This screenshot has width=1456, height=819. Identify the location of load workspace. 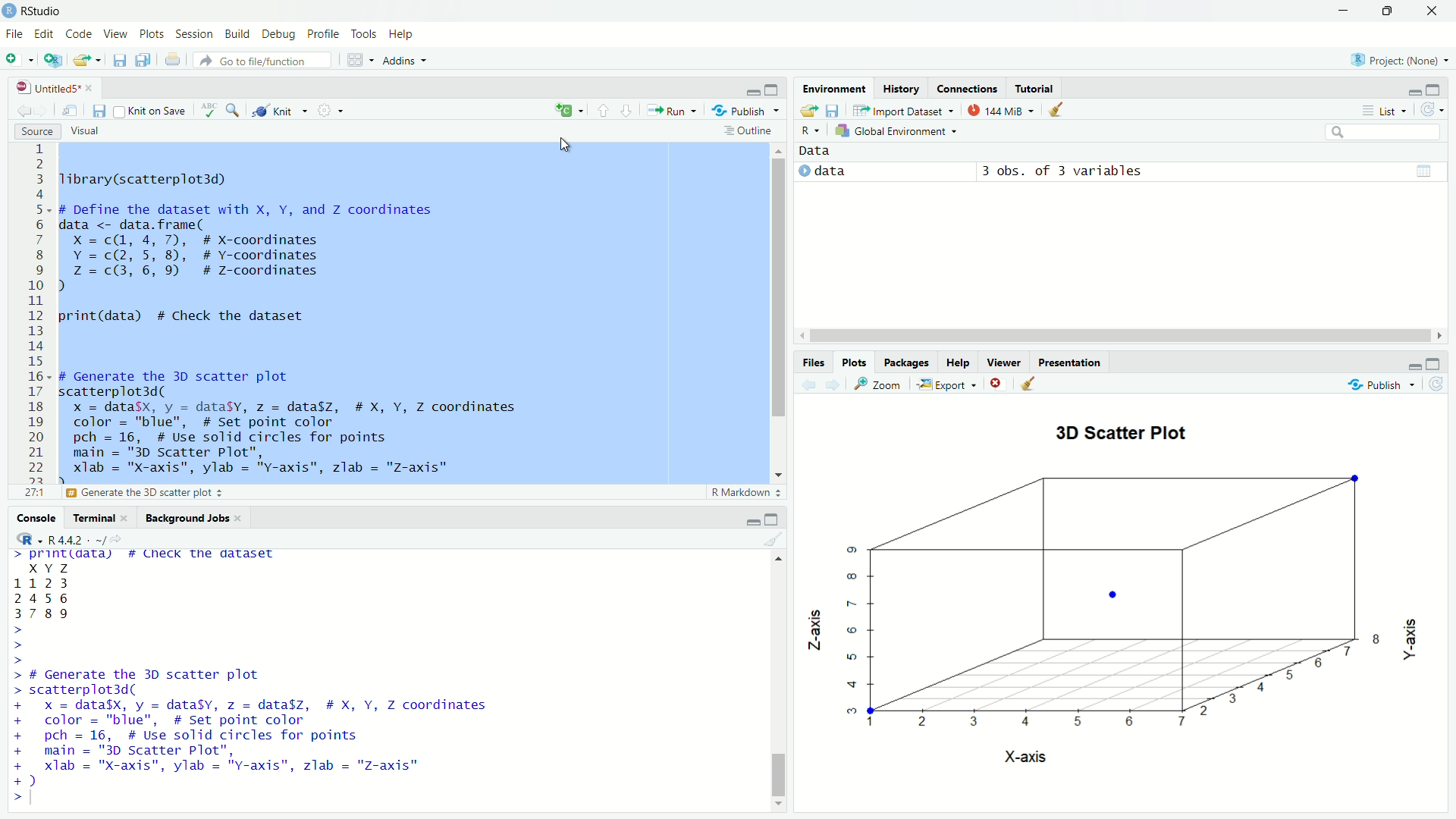
(808, 110).